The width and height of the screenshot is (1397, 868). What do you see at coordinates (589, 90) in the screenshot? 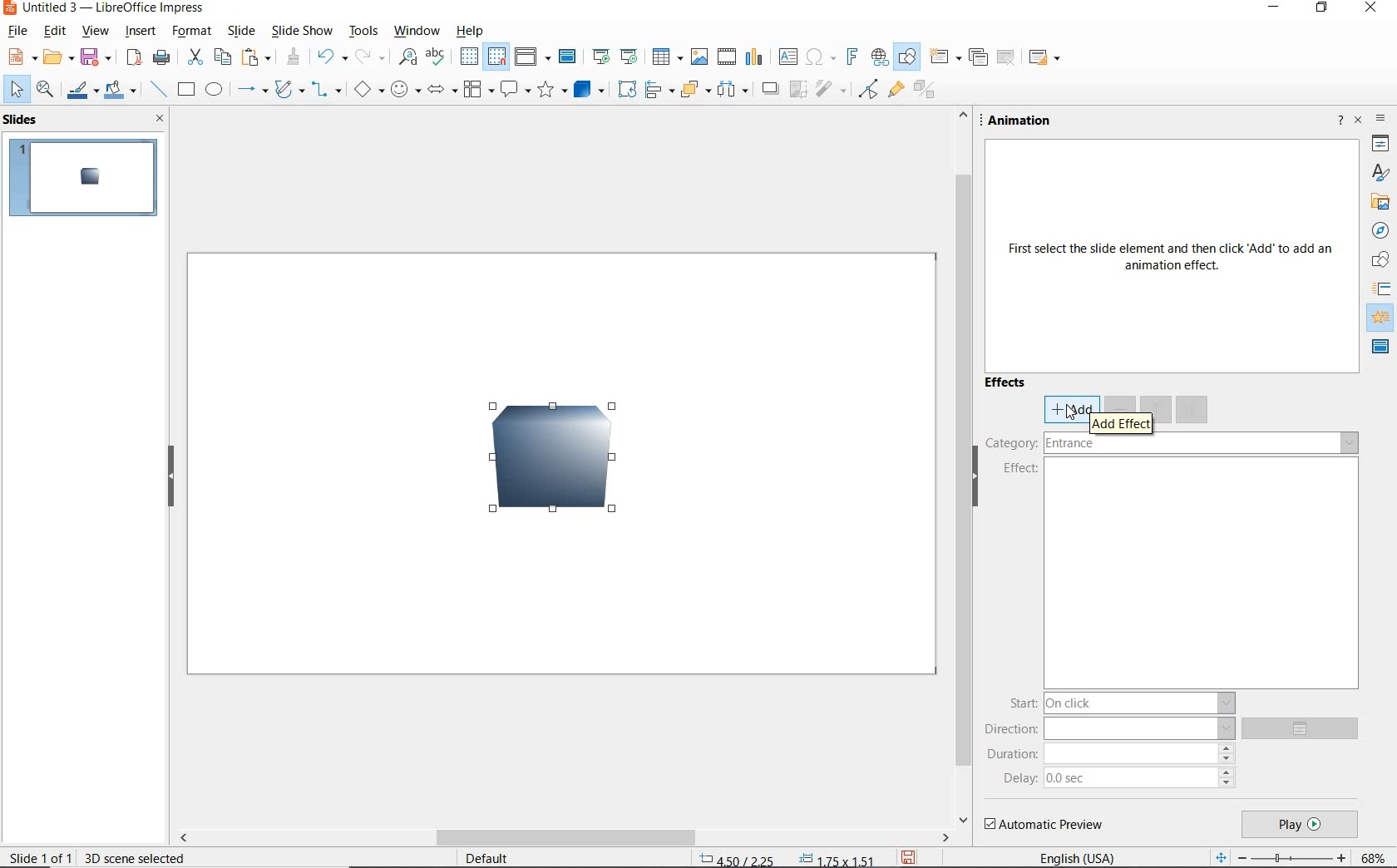
I see `3d objects` at bounding box center [589, 90].